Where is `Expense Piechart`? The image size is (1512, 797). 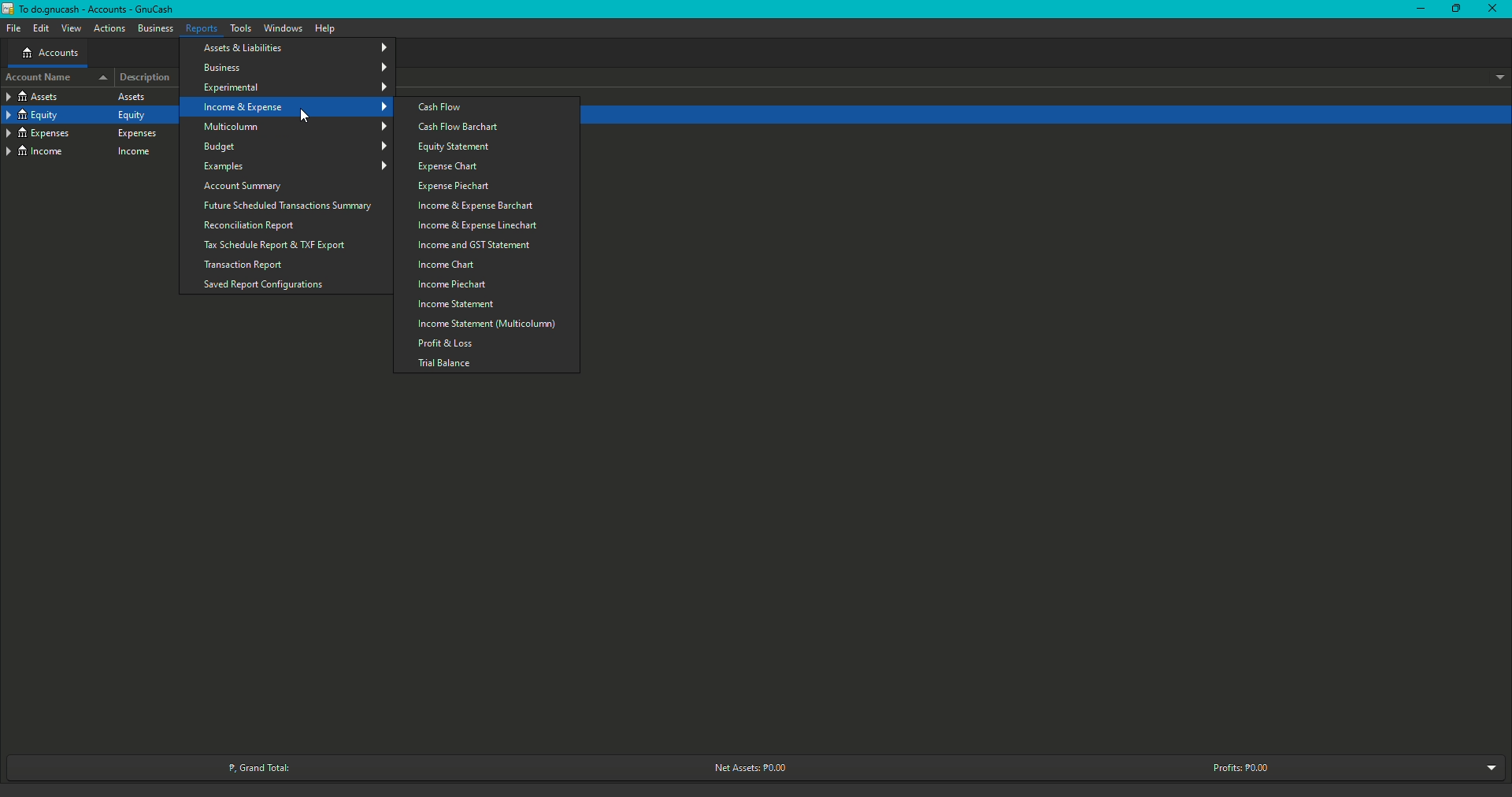
Expense Piechart is located at coordinates (455, 187).